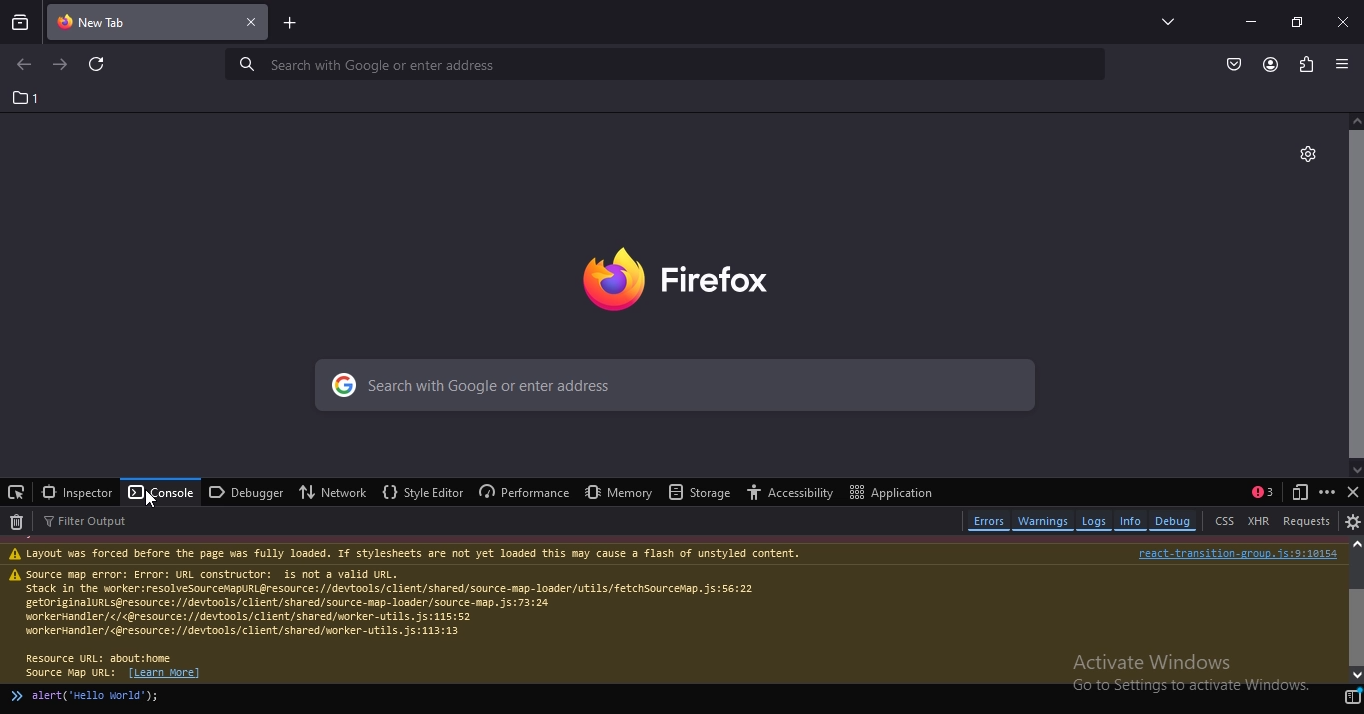 This screenshot has height=714, width=1364. Describe the element at coordinates (16, 493) in the screenshot. I see `pick an element from the page` at that location.